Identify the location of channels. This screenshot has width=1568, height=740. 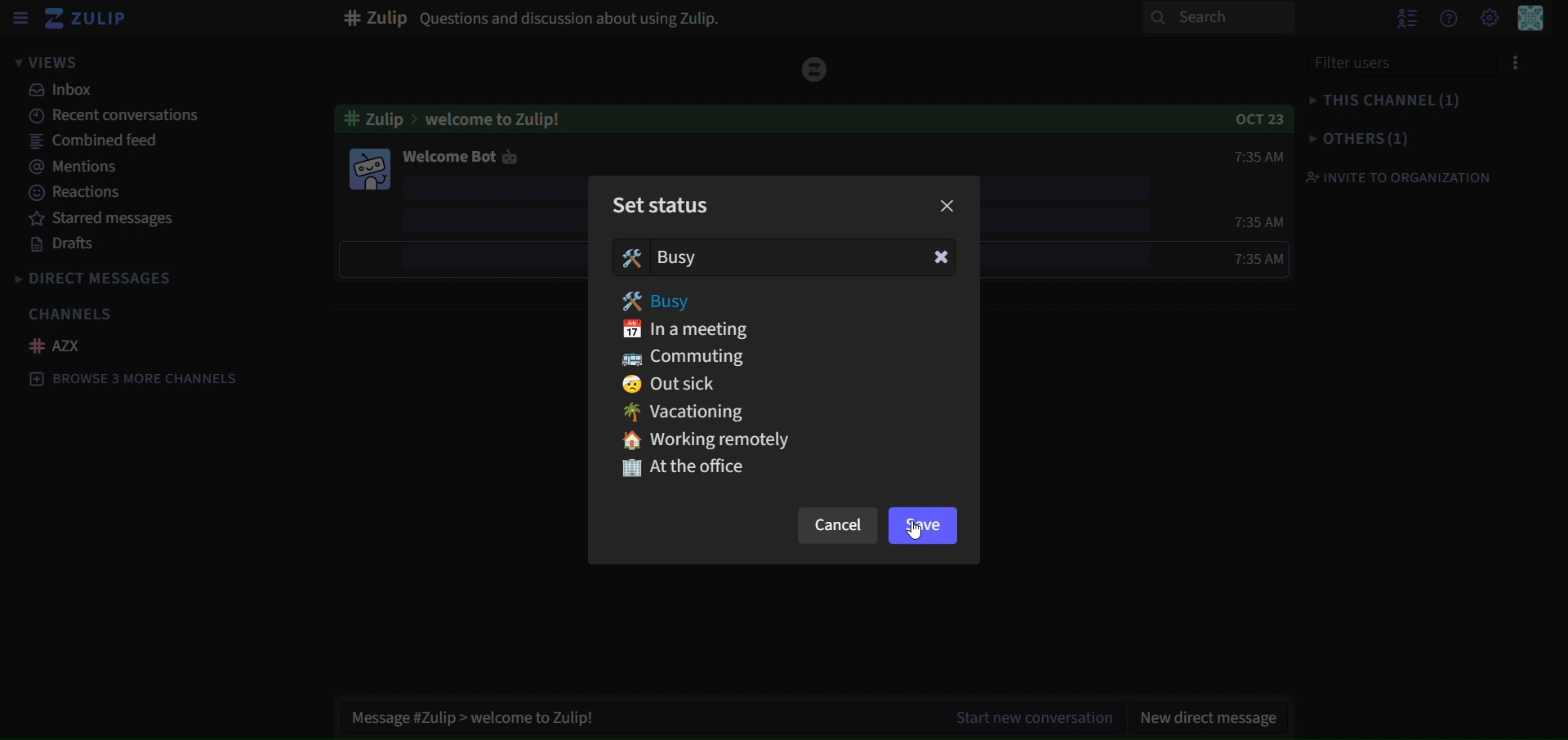
(74, 314).